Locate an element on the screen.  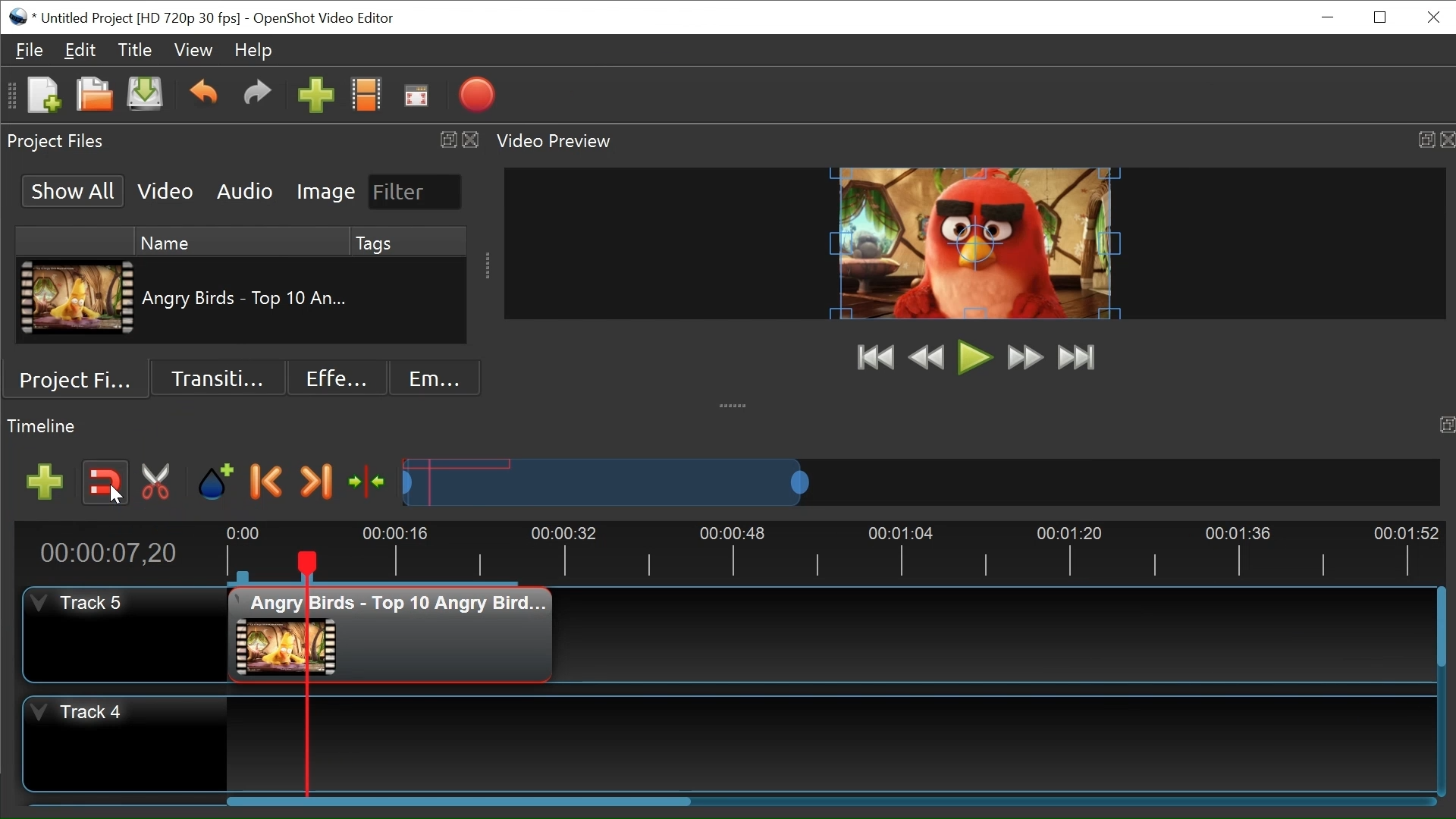
Marker is located at coordinates (215, 483).